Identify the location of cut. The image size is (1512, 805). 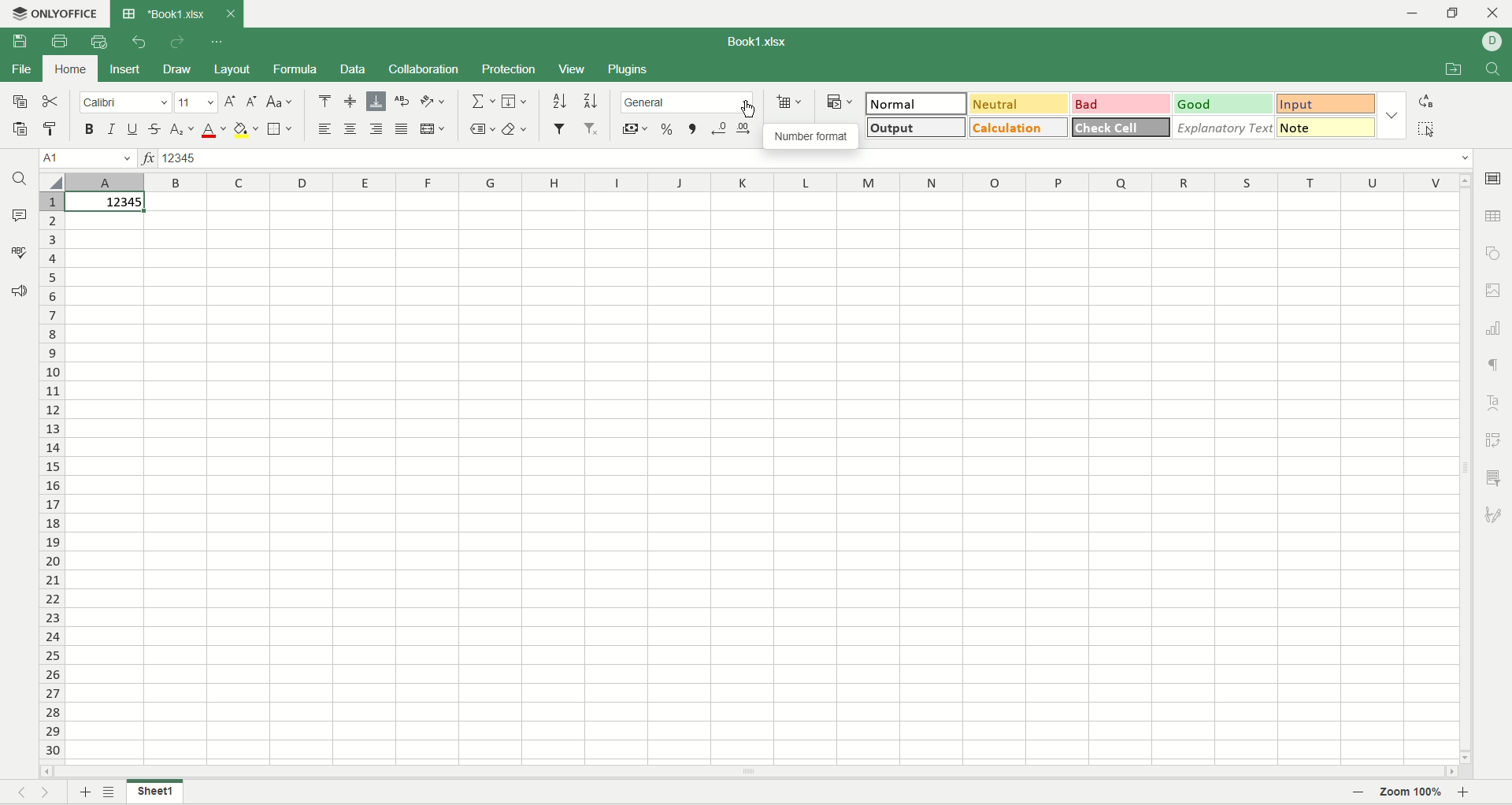
(50, 100).